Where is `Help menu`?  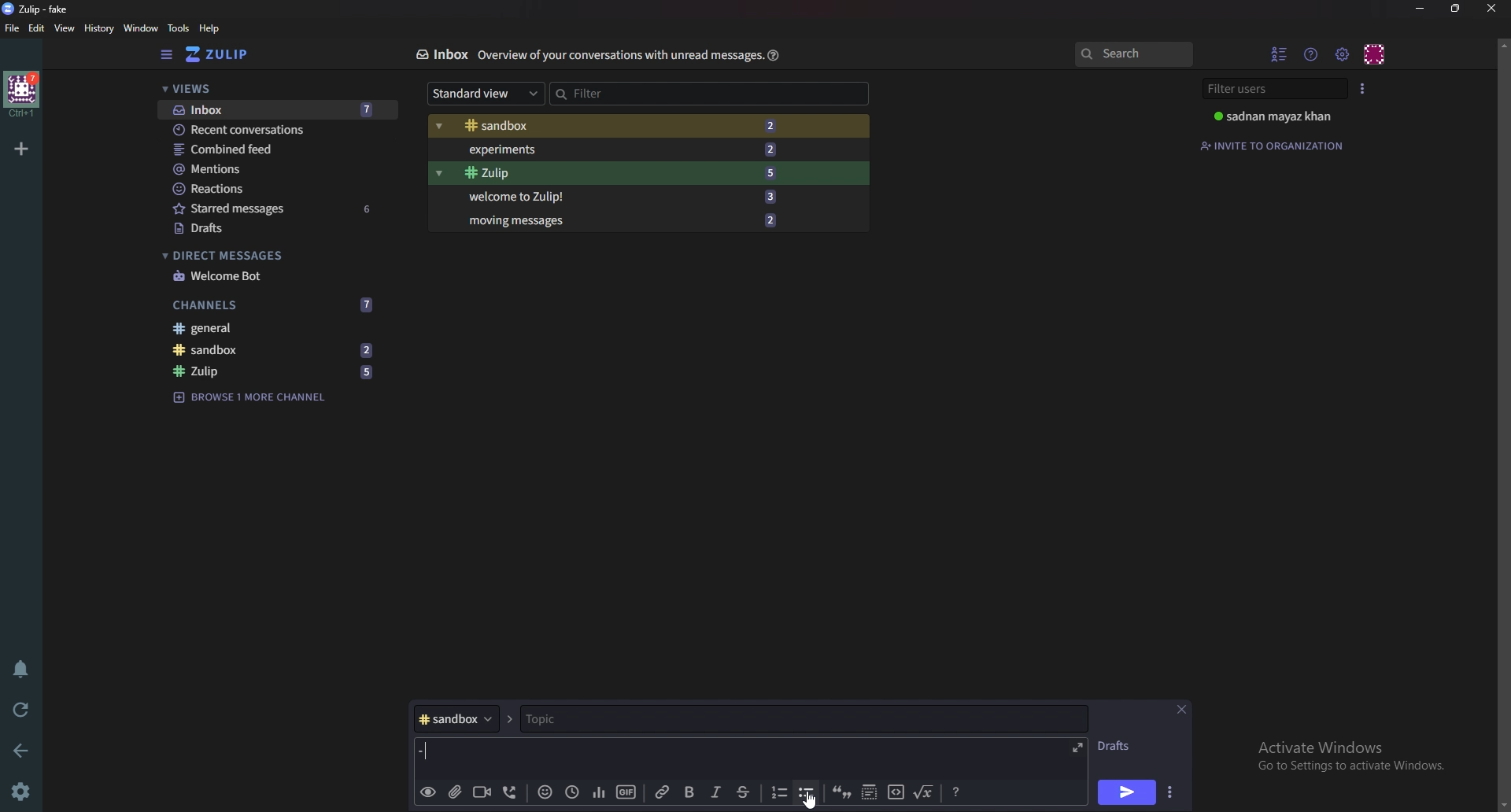 Help menu is located at coordinates (1312, 54).